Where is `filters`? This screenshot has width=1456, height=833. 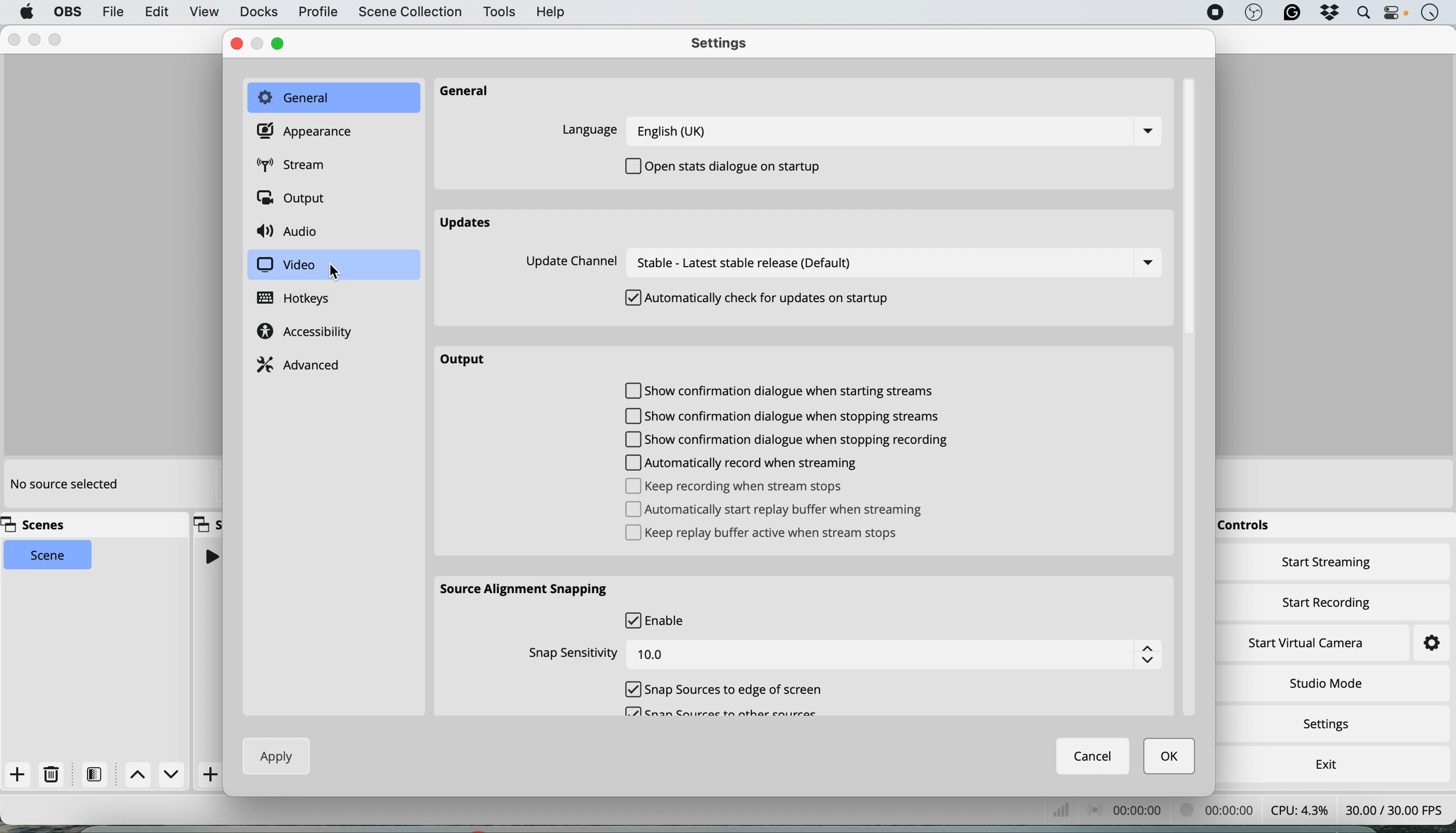 filters is located at coordinates (98, 774).